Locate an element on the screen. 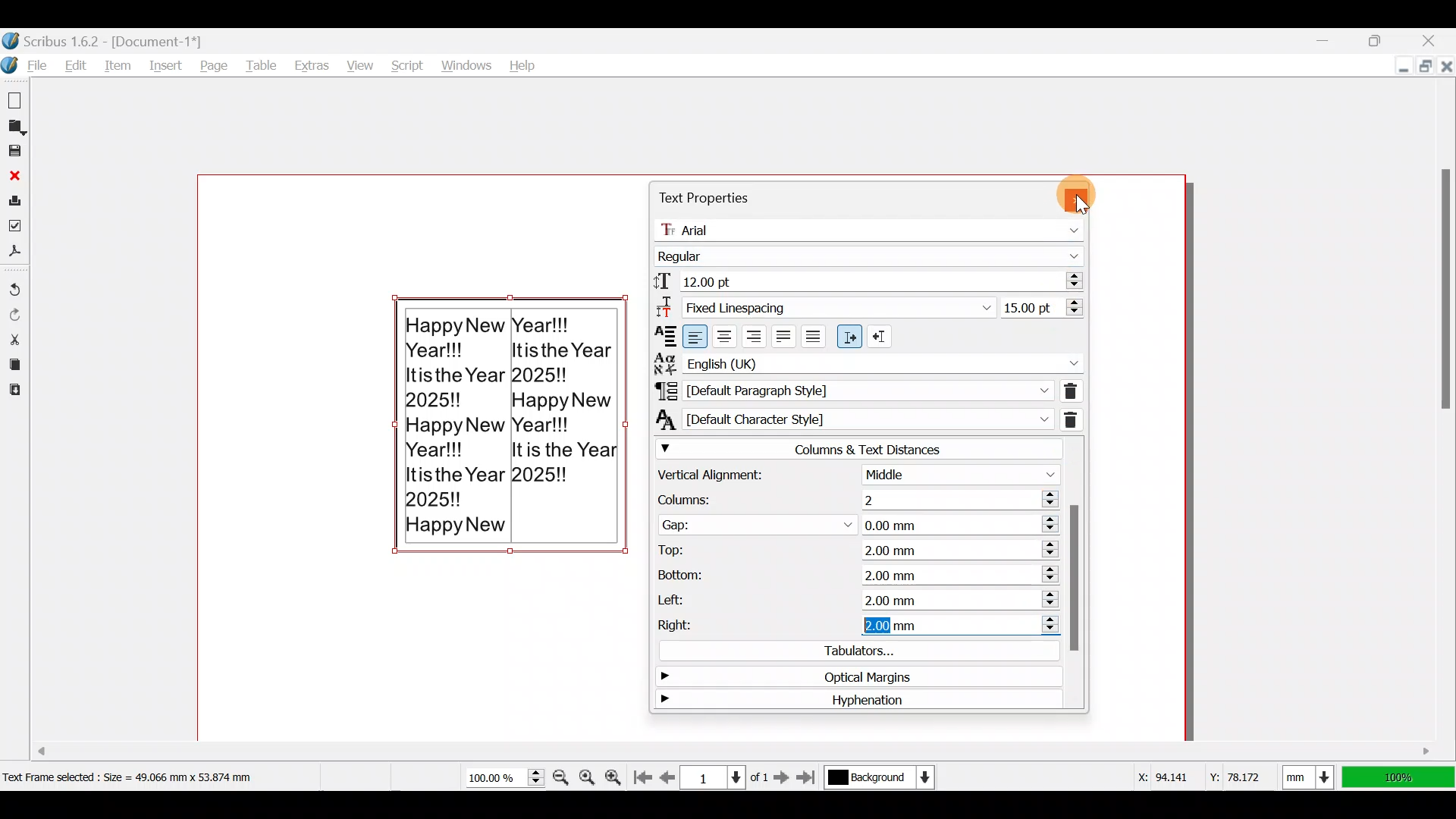 The width and height of the screenshot is (1456, 819). 100% zoom ratio is located at coordinates (1401, 777).